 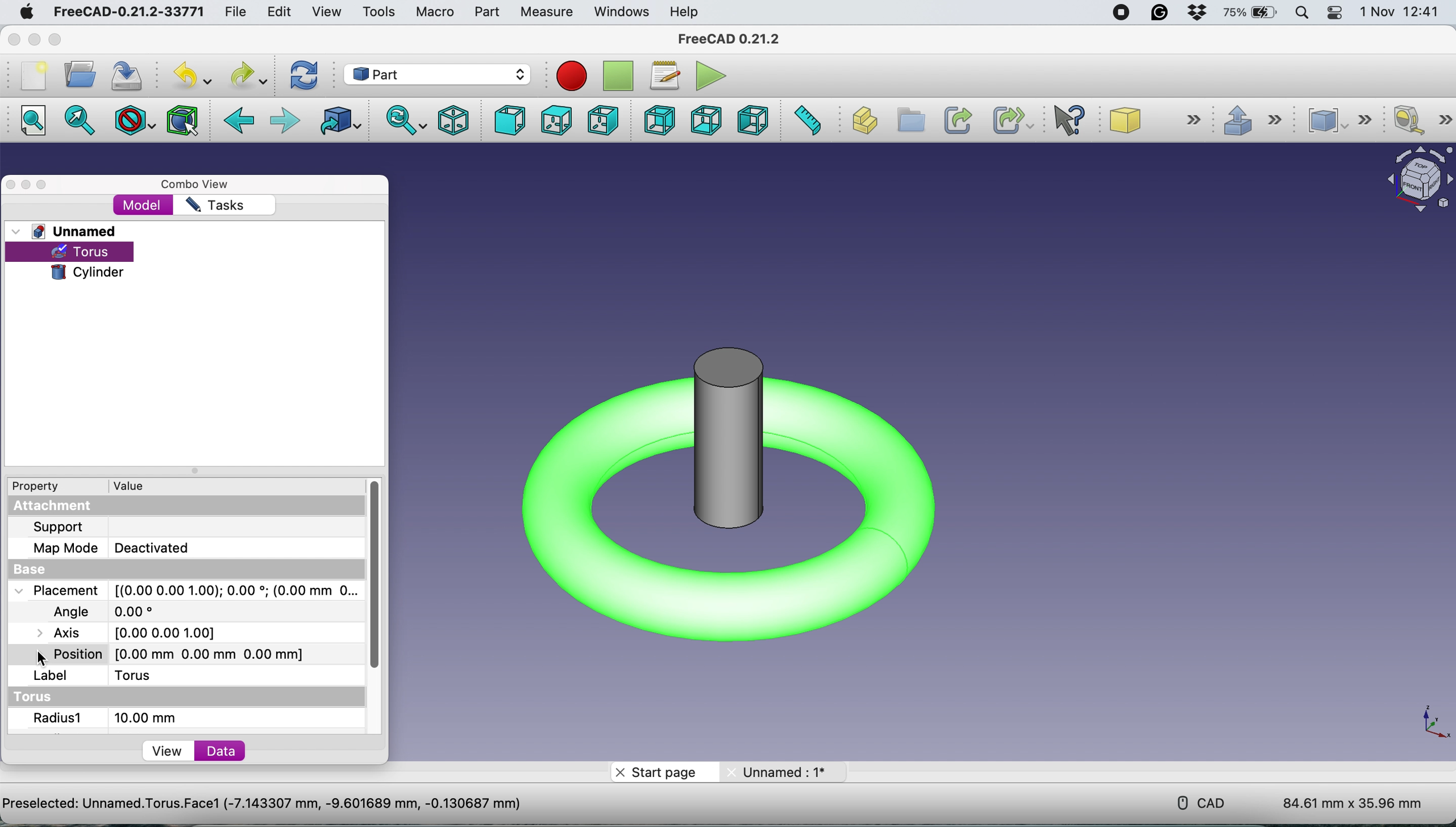 I want to click on Cylinder inside torus, so click(x=729, y=505).